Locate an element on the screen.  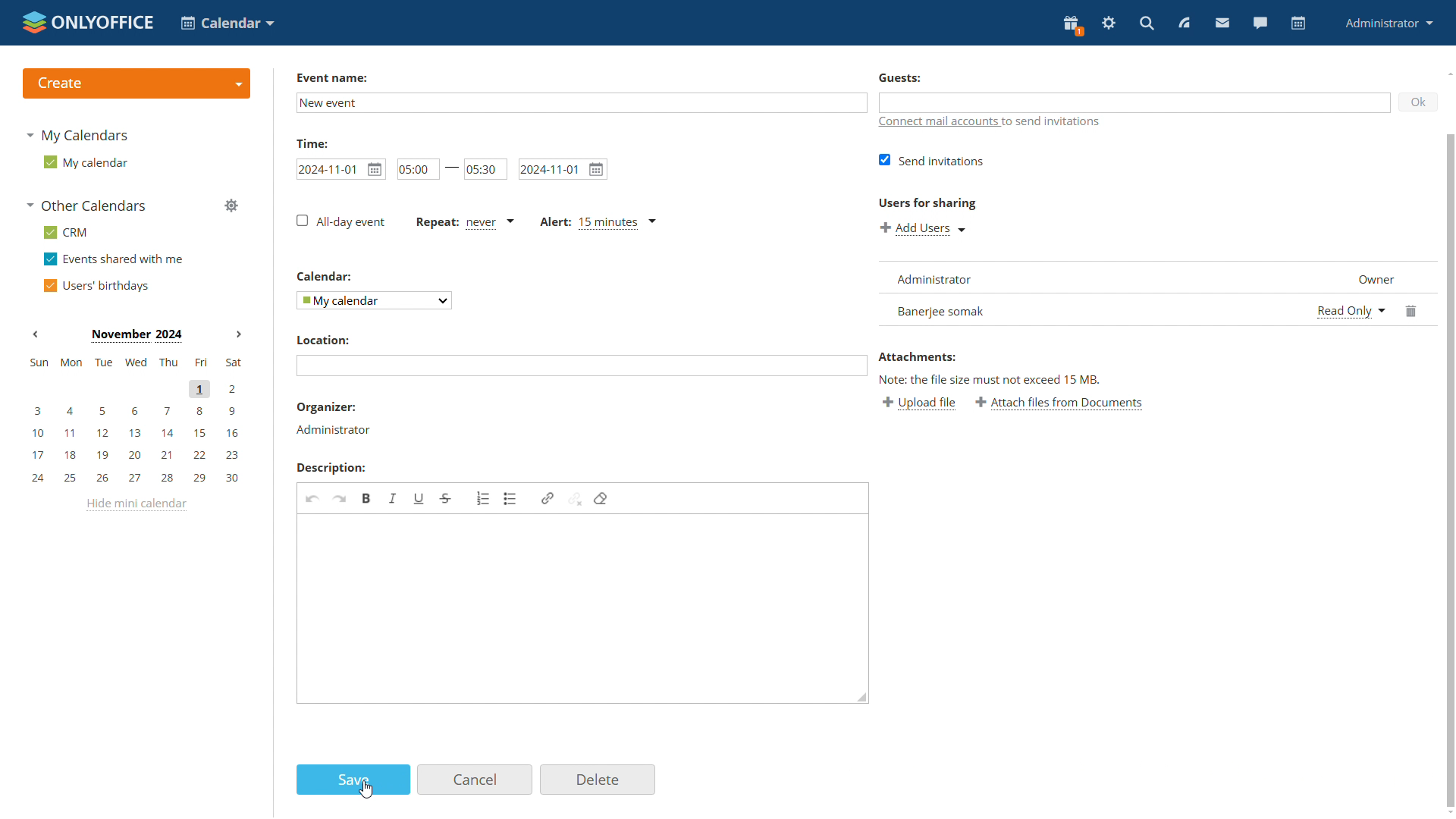
Remove format is located at coordinates (601, 500).